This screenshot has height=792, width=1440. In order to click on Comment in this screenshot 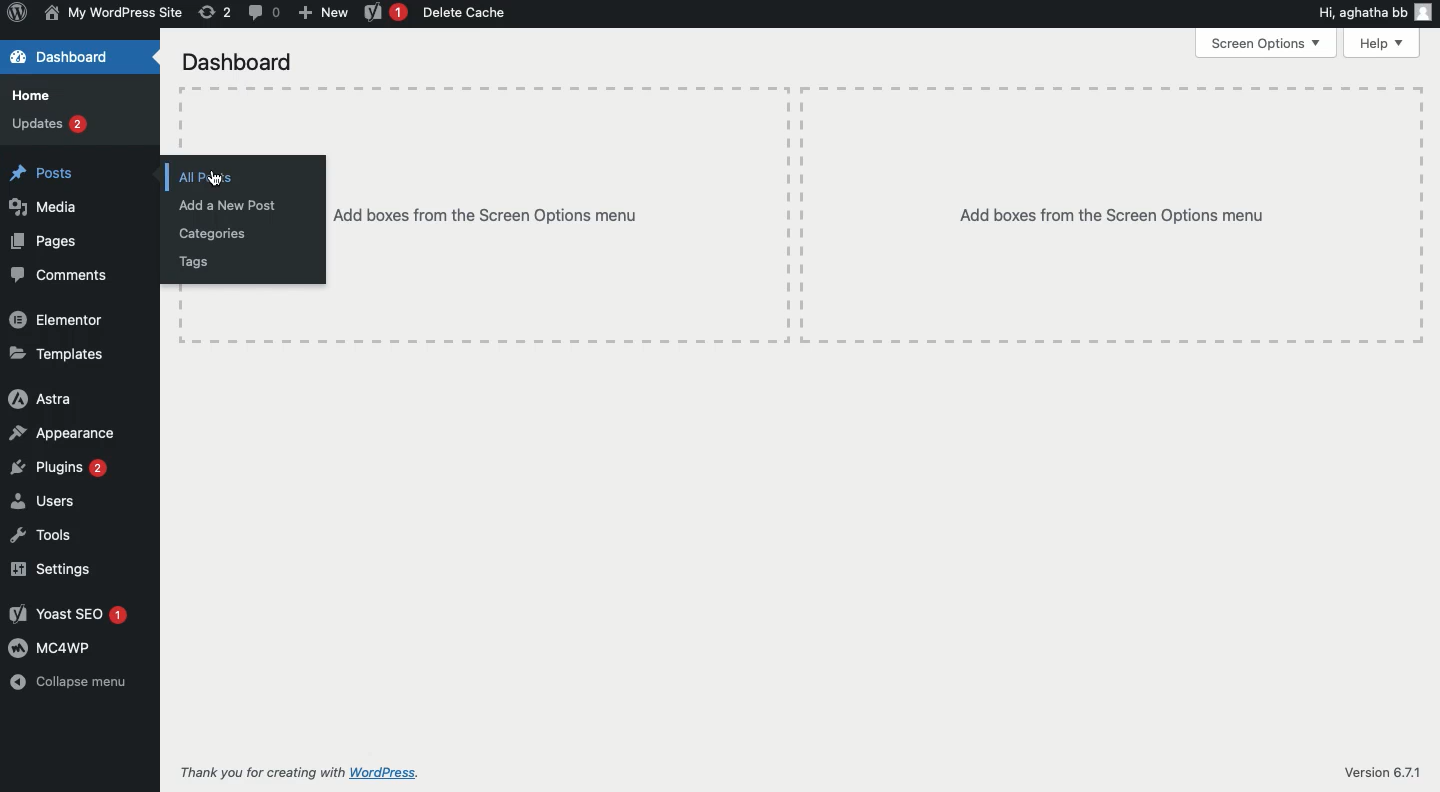, I will do `click(262, 13)`.